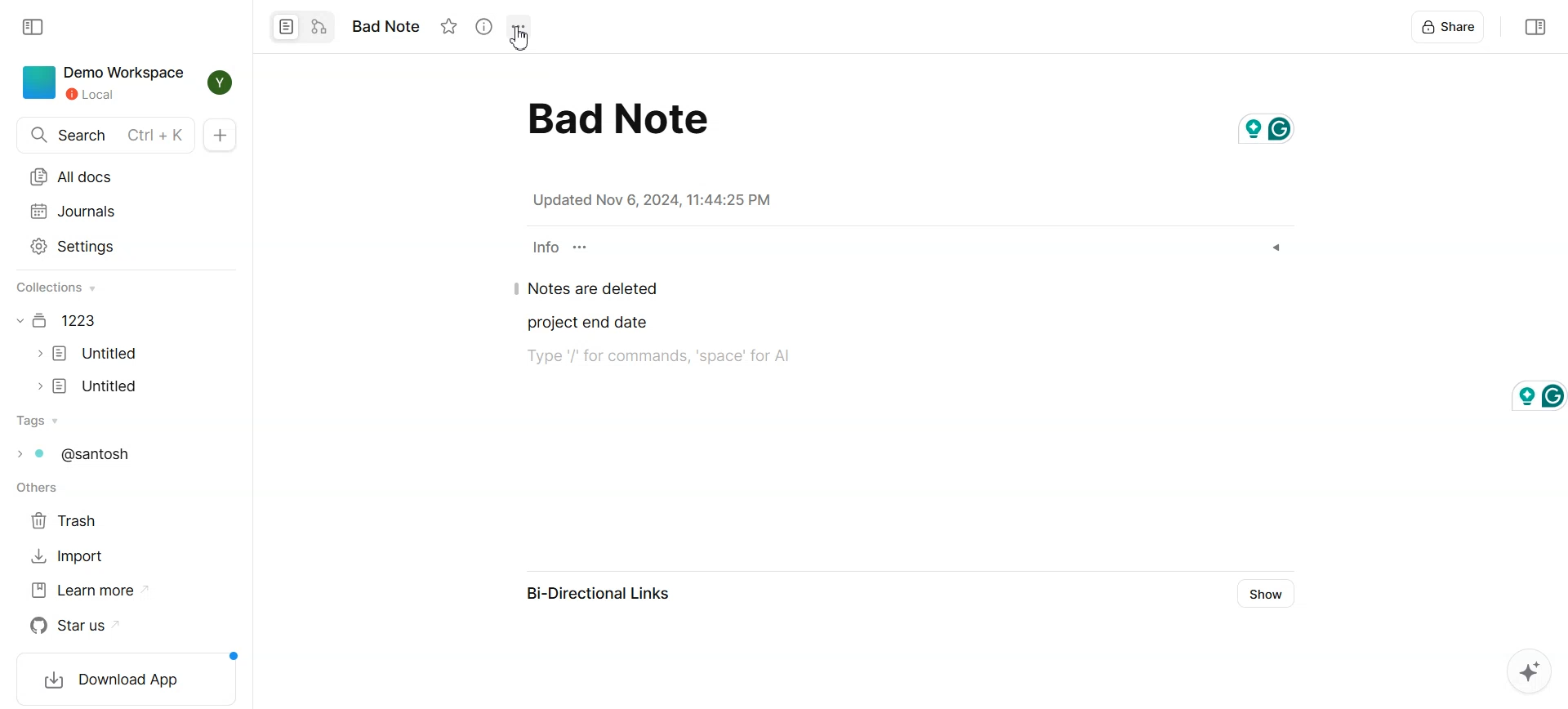 This screenshot has width=1568, height=709. What do you see at coordinates (221, 136) in the screenshot?
I see `New Doc` at bounding box center [221, 136].